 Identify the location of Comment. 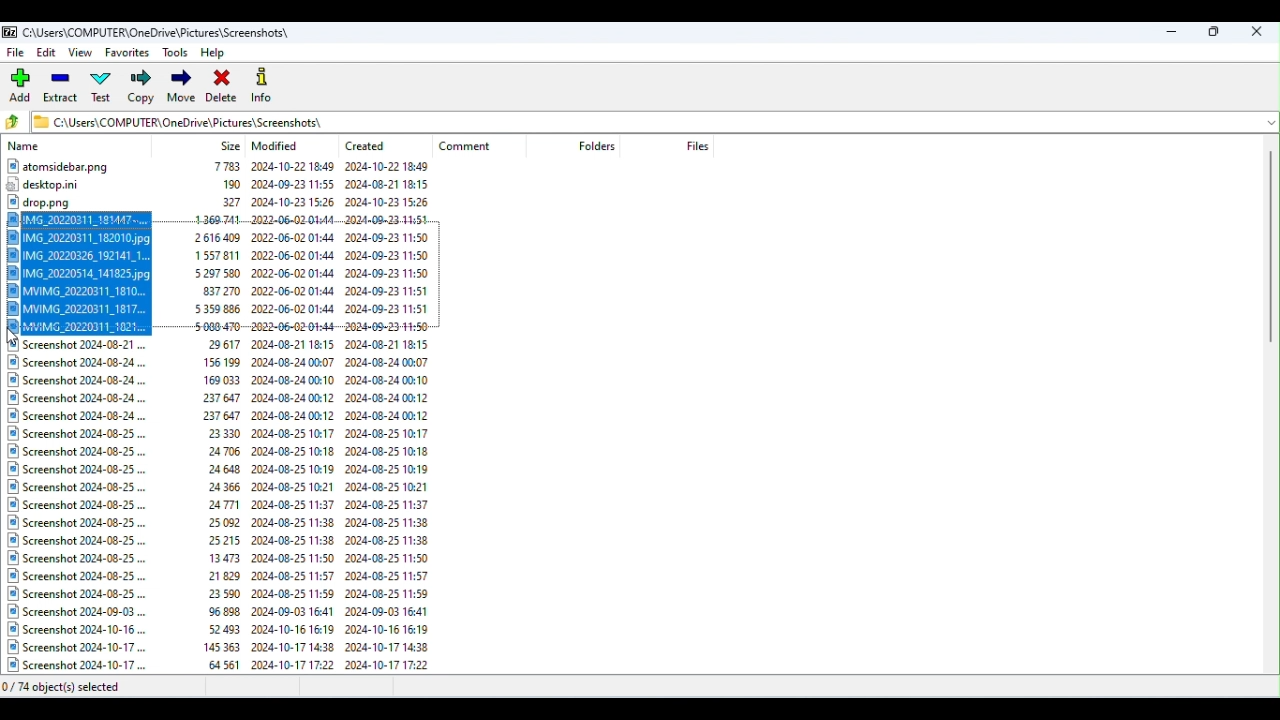
(474, 146).